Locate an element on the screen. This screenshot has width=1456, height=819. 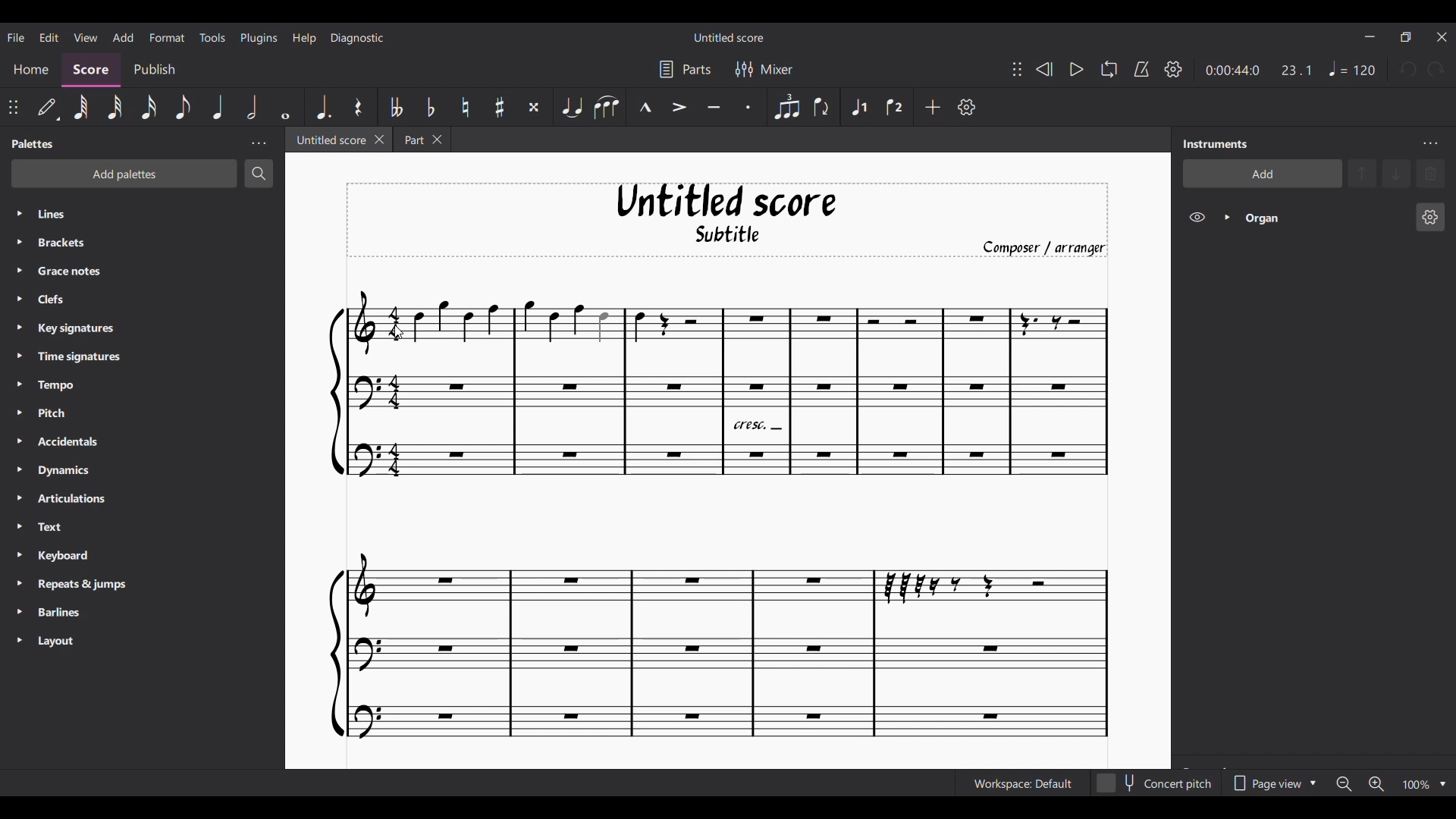
Zoom in is located at coordinates (1376, 784).